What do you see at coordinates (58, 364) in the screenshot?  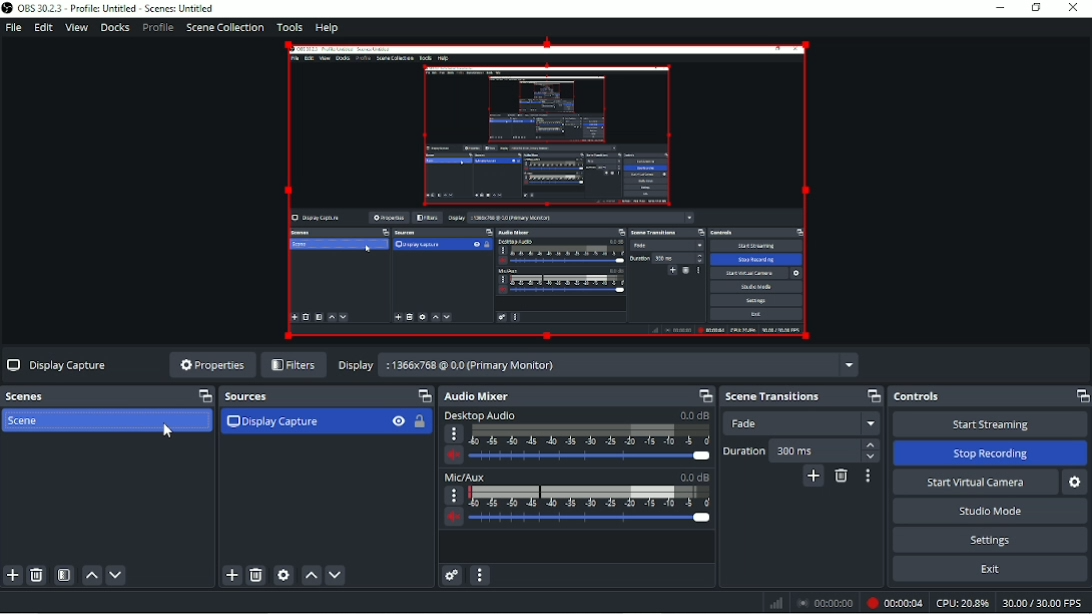 I see `Display Capture` at bounding box center [58, 364].